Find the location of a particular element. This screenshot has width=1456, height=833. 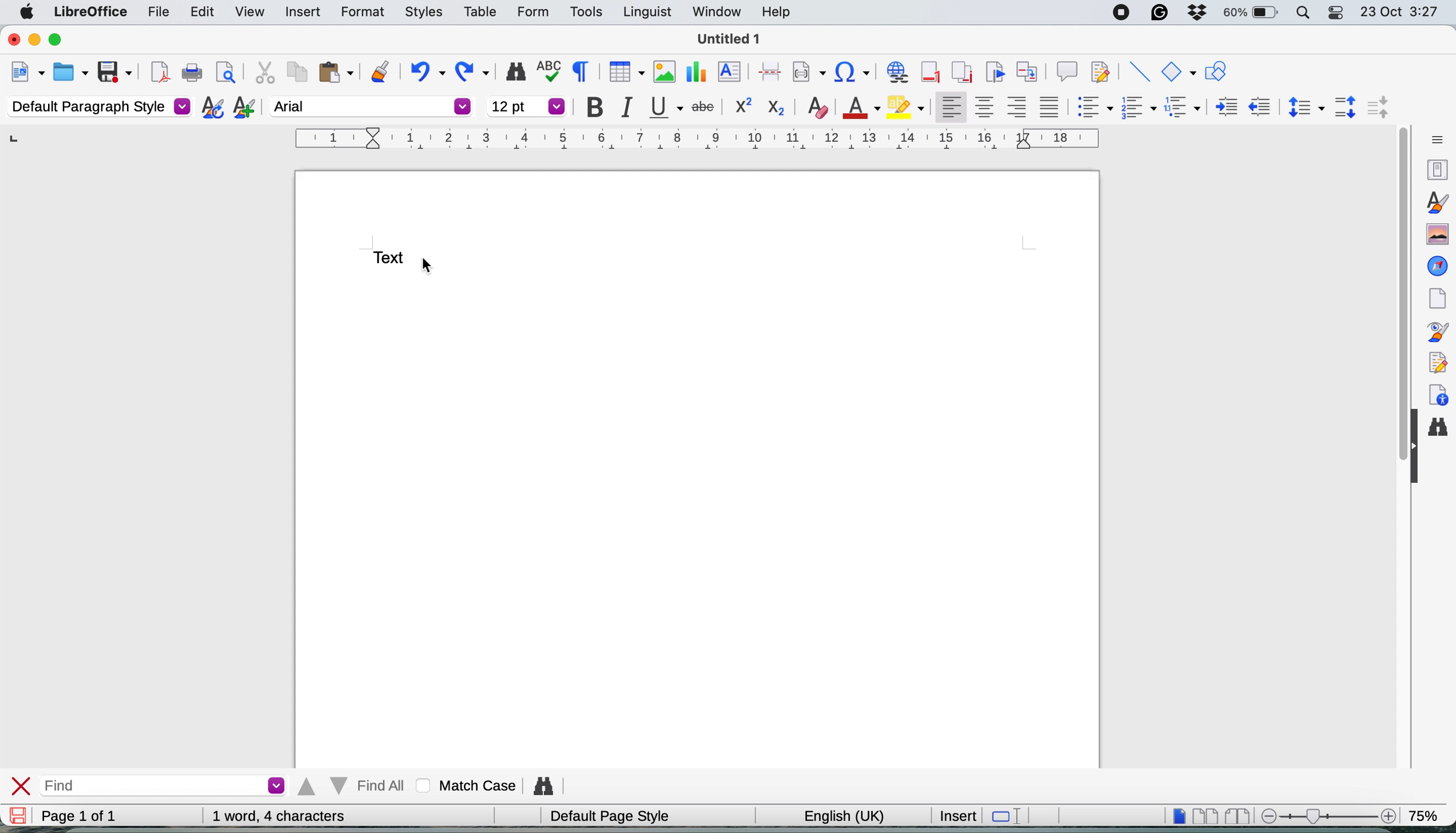

navigator is located at coordinates (1438, 266).